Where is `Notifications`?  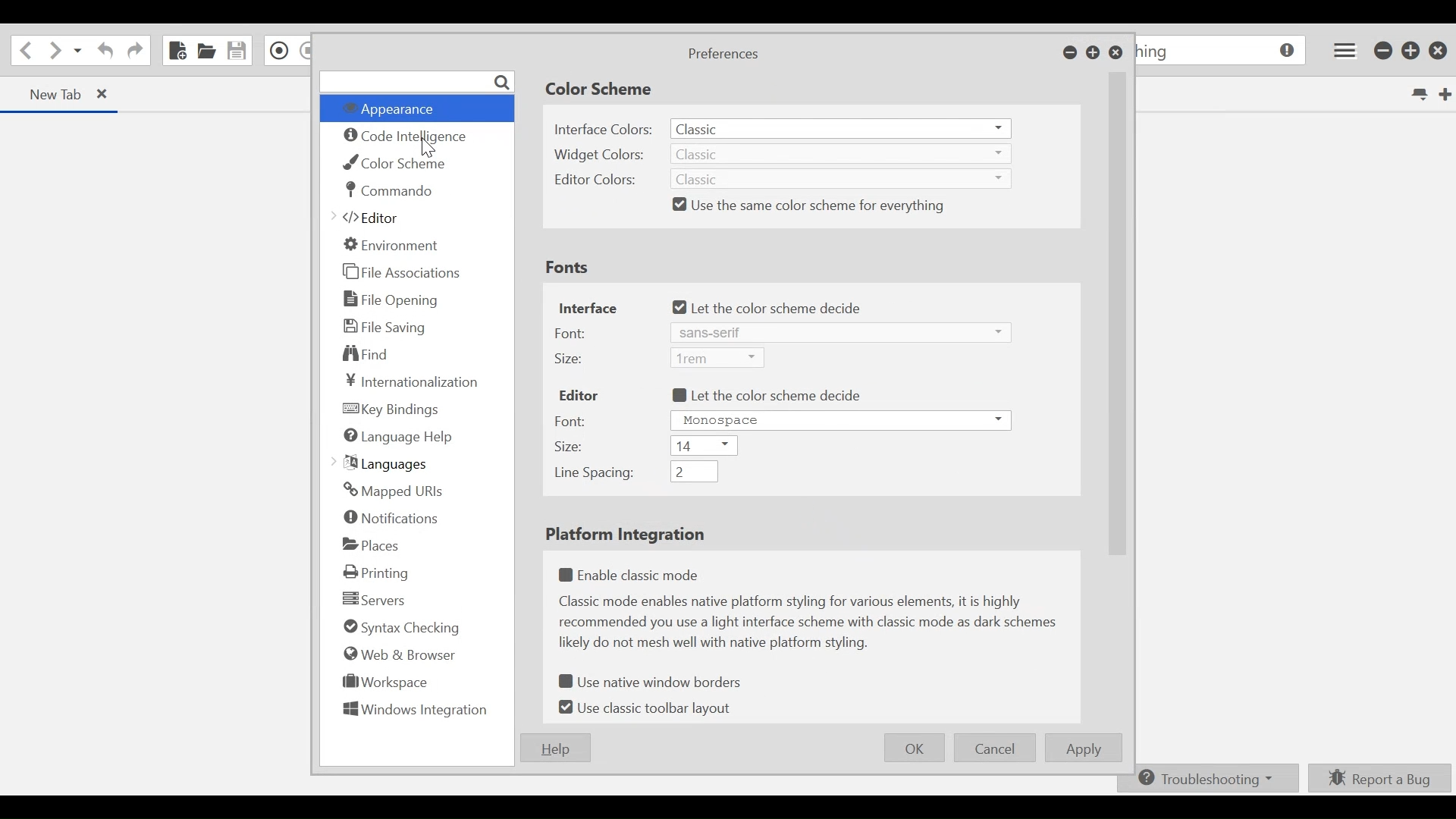
Notifications is located at coordinates (393, 519).